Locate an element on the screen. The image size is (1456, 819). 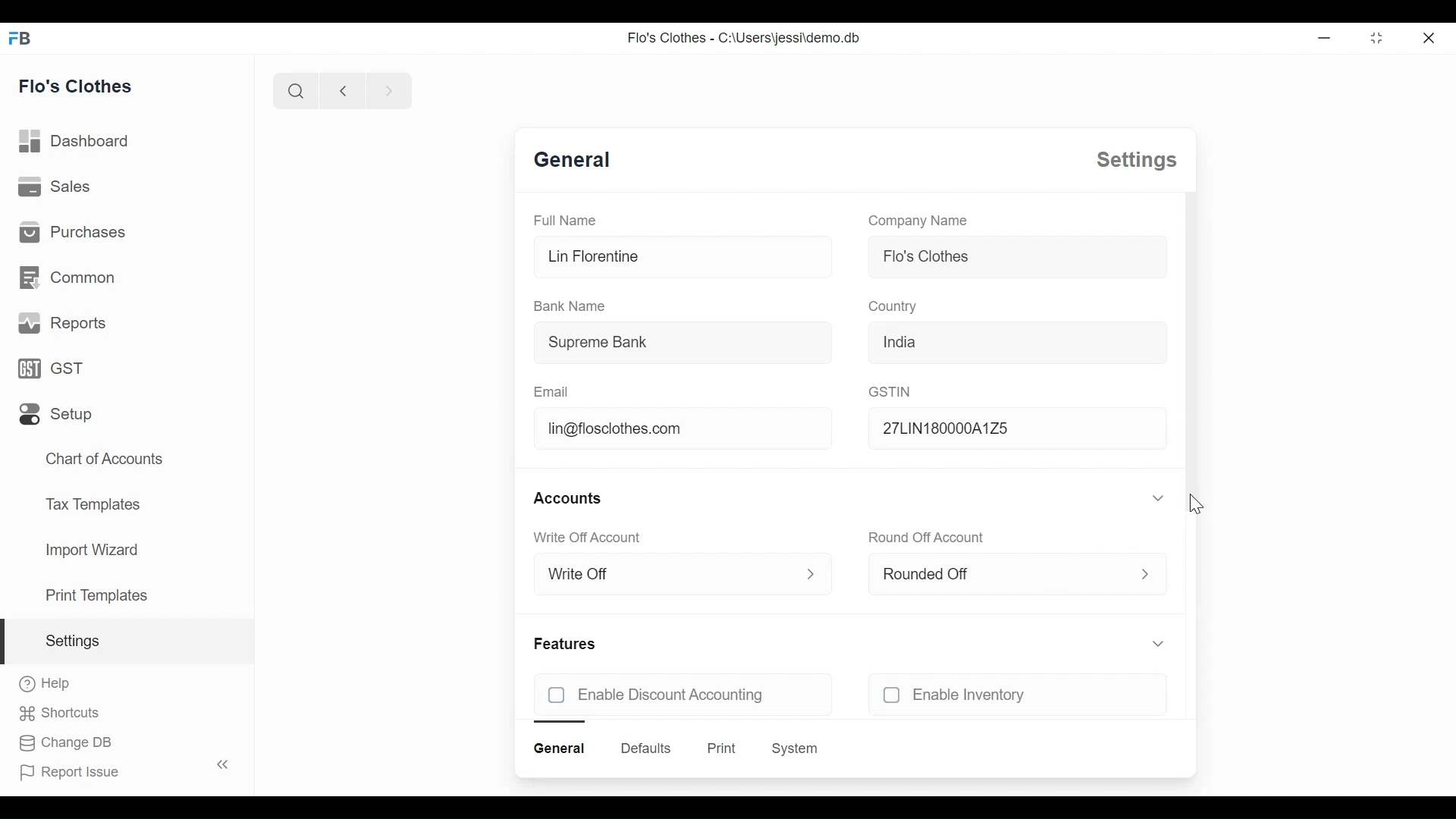
Search is located at coordinates (293, 91).